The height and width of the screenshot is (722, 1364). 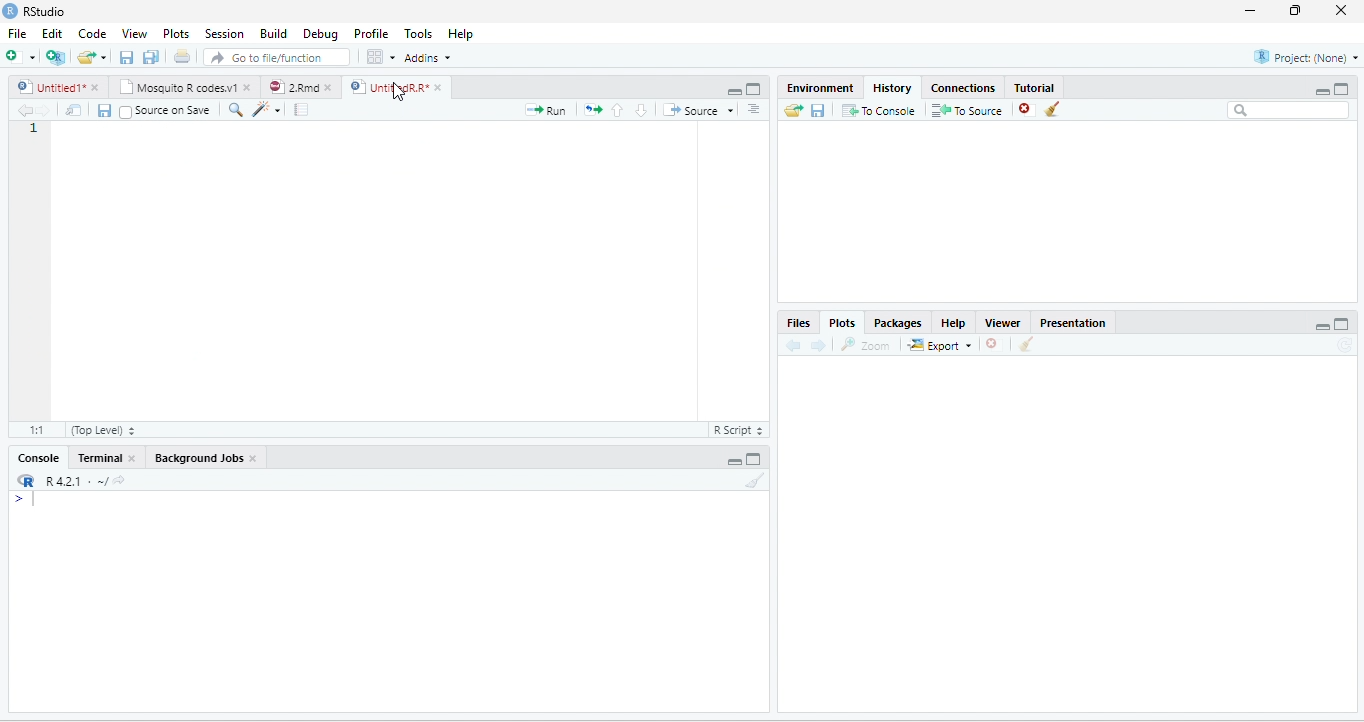 What do you see at coordinates (546, 110) in the screenshot?
I see `Run` at bounding box center [546, 110].